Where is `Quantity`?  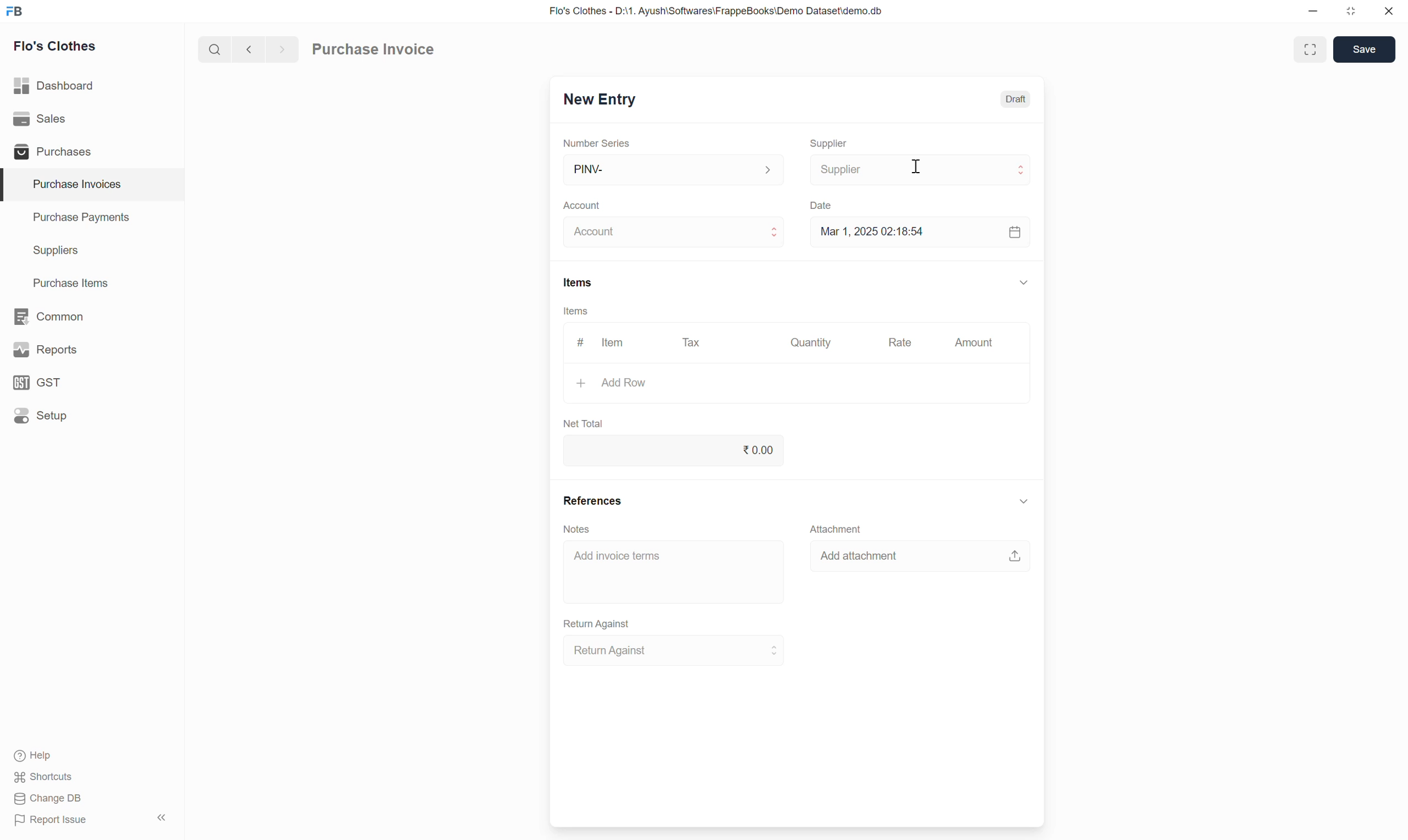
Quantity is located at coordinates (809, 342).